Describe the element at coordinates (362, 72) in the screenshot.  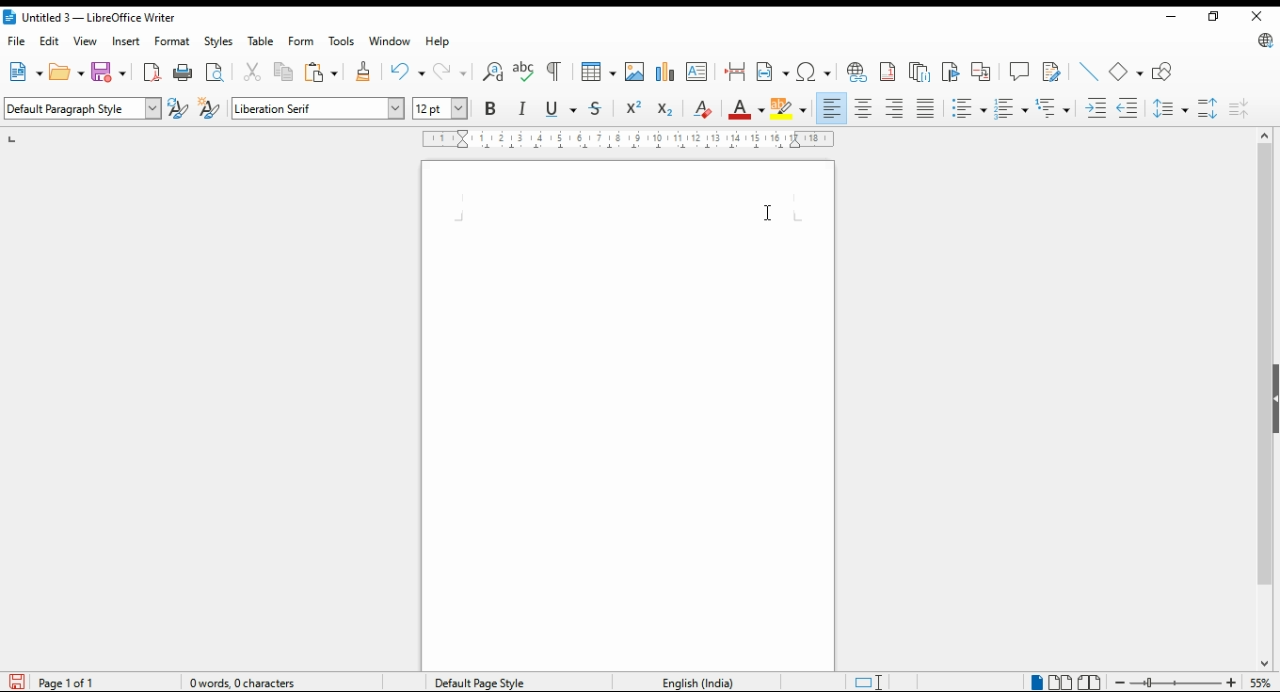
I see `clone formatting` at that location.